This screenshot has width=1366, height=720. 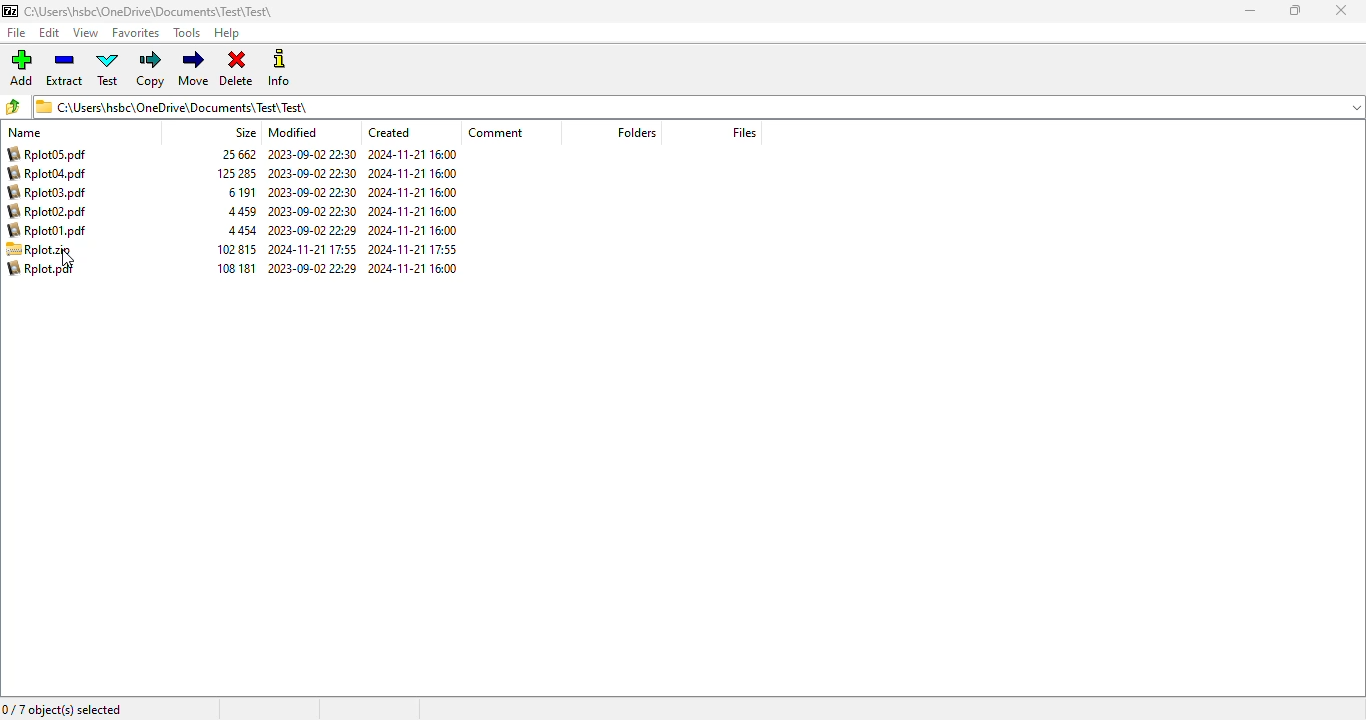 What do you see at coordinates (50, 192) in the screenshot?
I see `Rplot03.pdf` at bounding box center [50, 192].